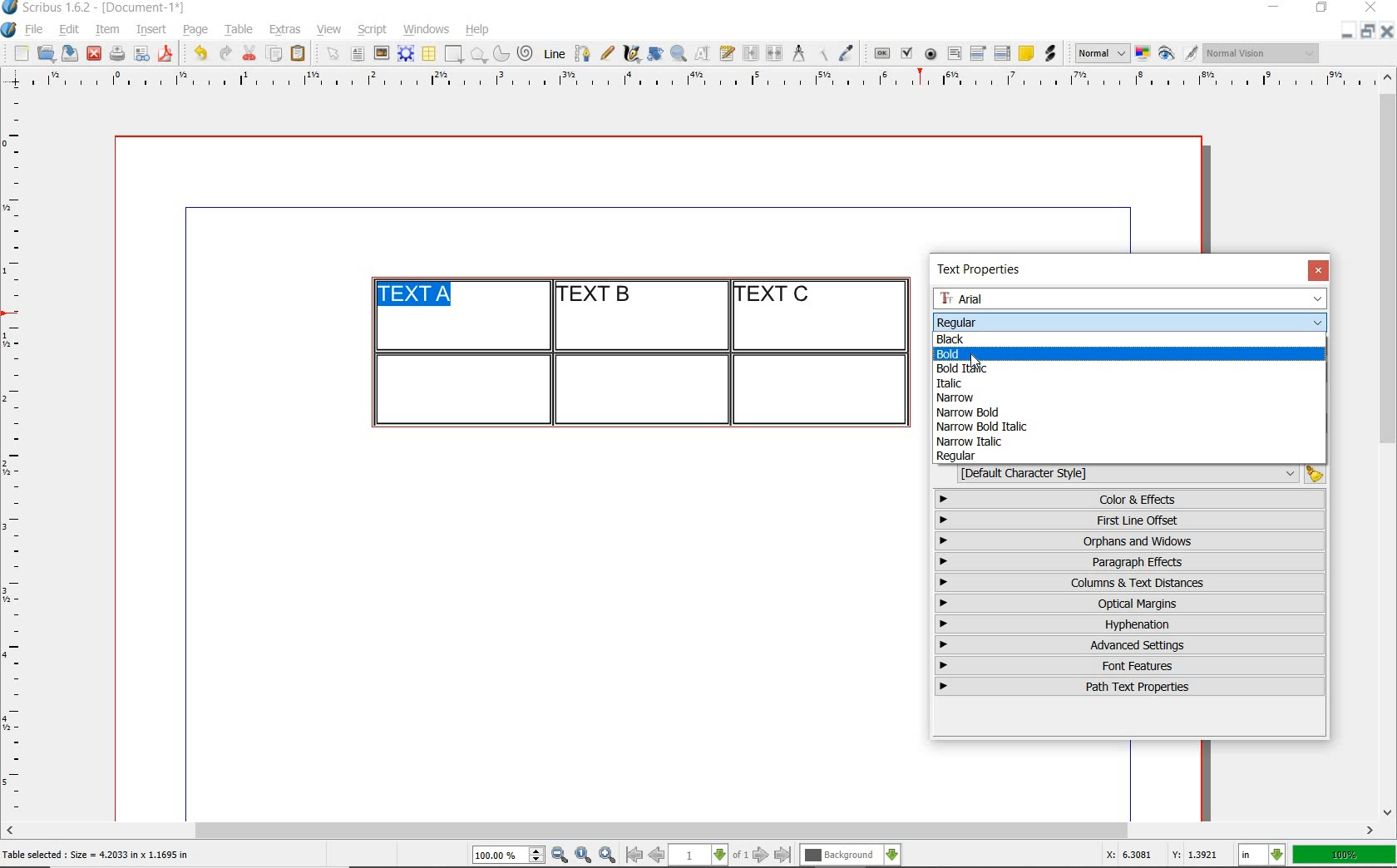 The height and width of the screenshot is (868, 1397). What do you see at coordinates (239, 30) in the screenshot?
I see `table` at bounding box center [239, 30].